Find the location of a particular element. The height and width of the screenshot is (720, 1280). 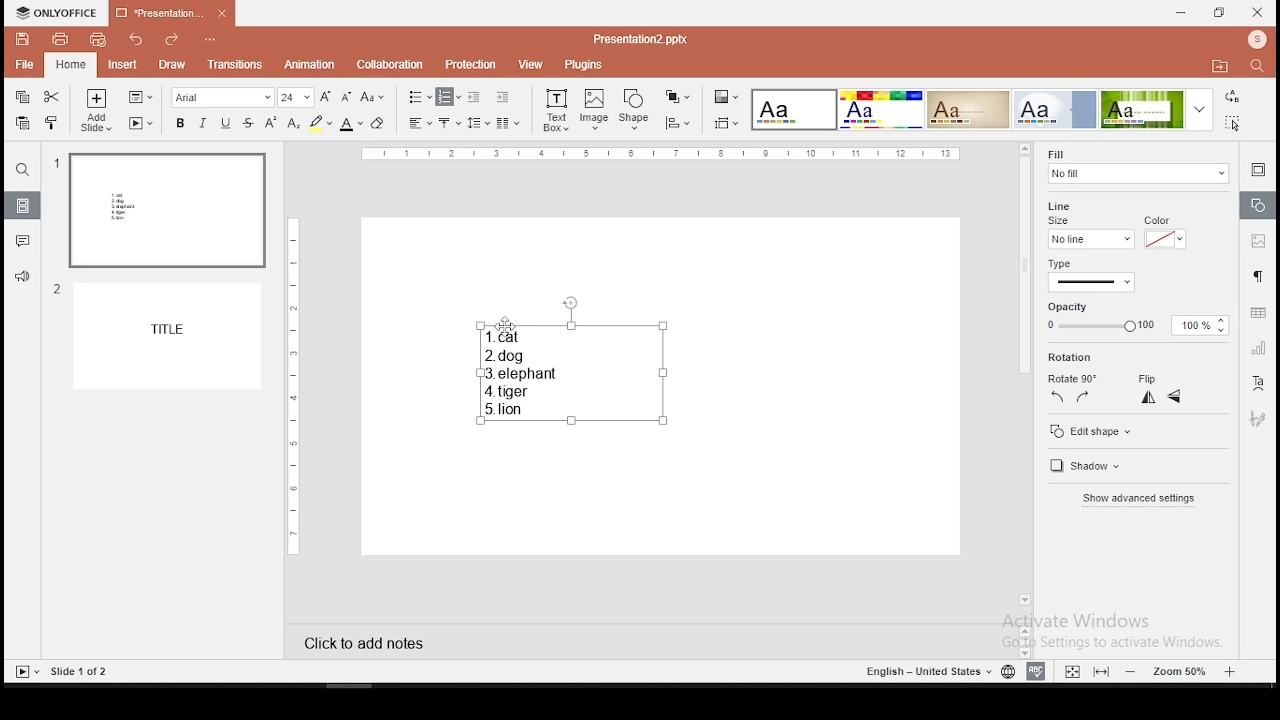

search is located at coordinates (1261, 68).